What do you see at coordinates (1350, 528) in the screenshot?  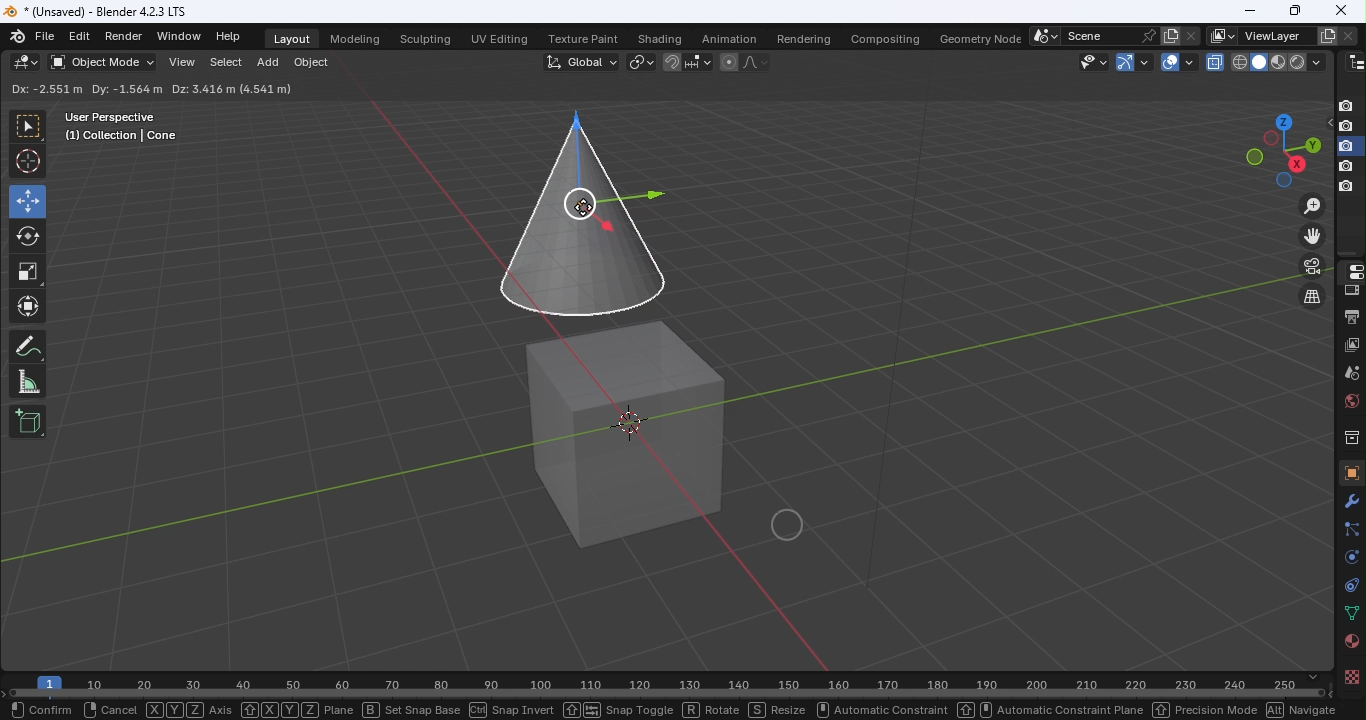 I see `Particles` at bounding box center [1350, 528].